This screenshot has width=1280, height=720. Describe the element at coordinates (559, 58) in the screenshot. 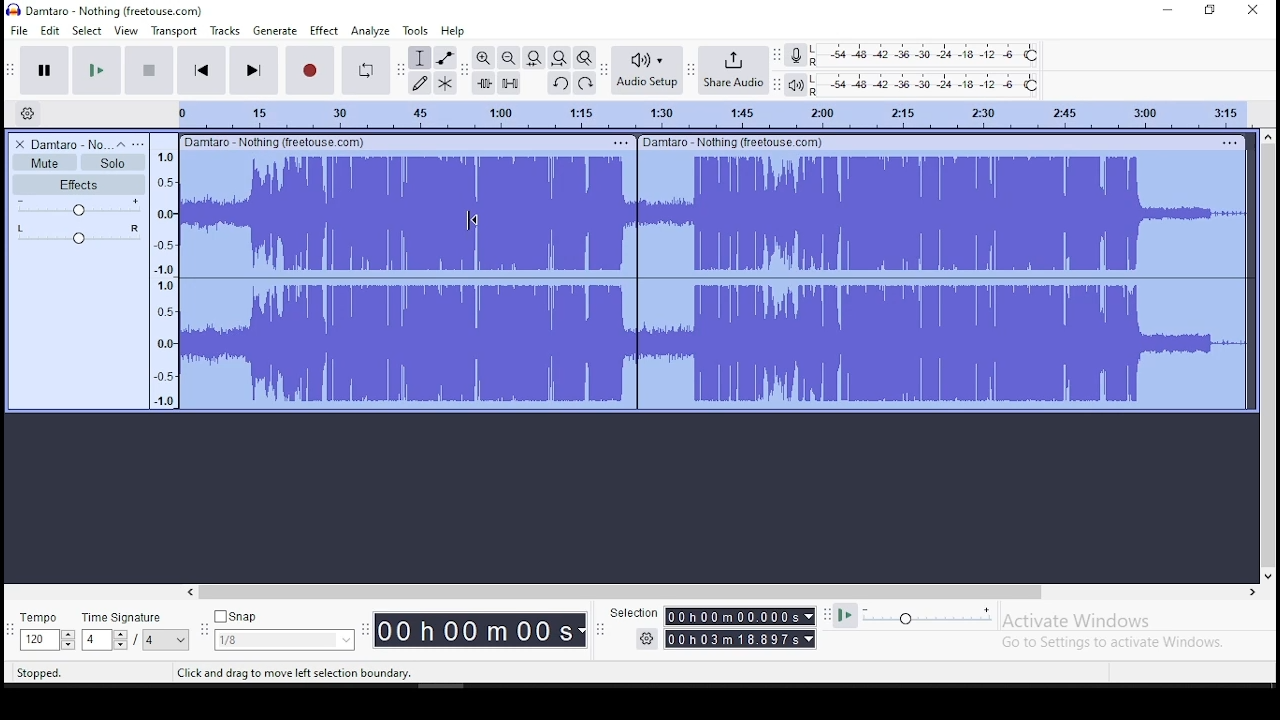

I see `fit project to width` at that location.